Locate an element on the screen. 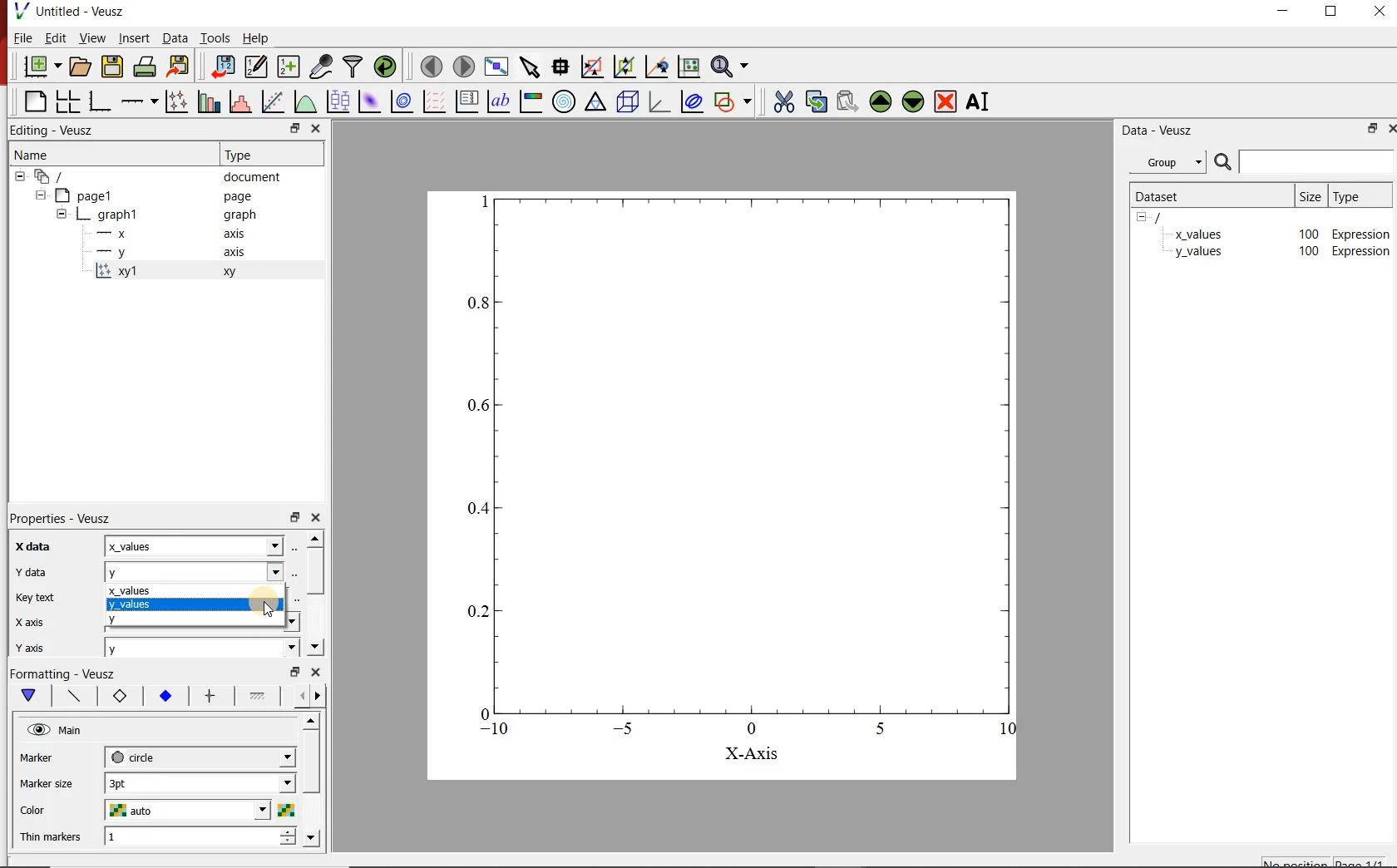 Image resolution: width=1397 pixels, height=868 pixels. veusz logo is located at coordinates (16, 11).